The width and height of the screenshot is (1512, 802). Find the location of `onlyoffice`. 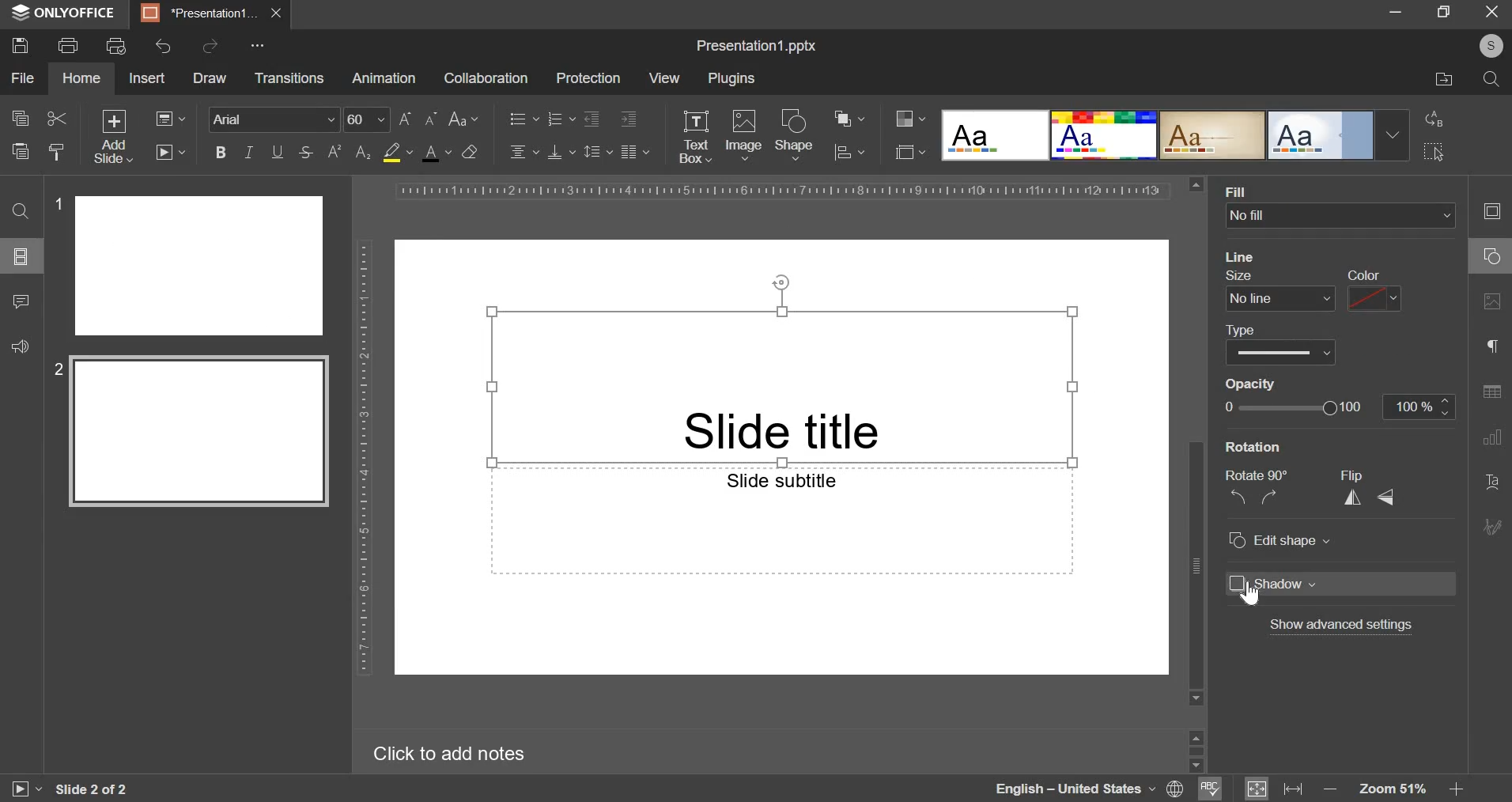

onlyoffice is located at coordinates (68, 13).